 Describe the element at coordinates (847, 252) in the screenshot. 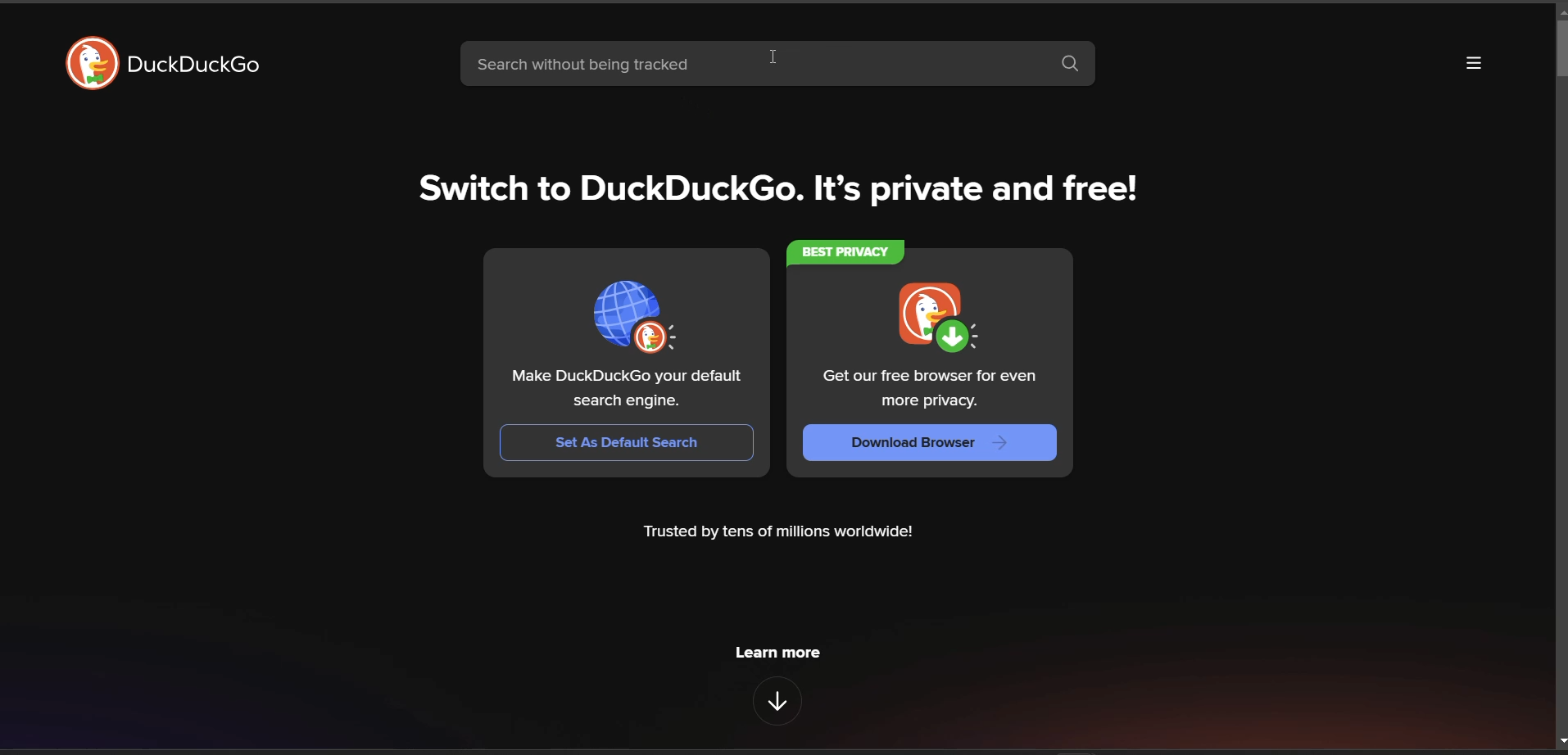

I see `best privacy` at that location.